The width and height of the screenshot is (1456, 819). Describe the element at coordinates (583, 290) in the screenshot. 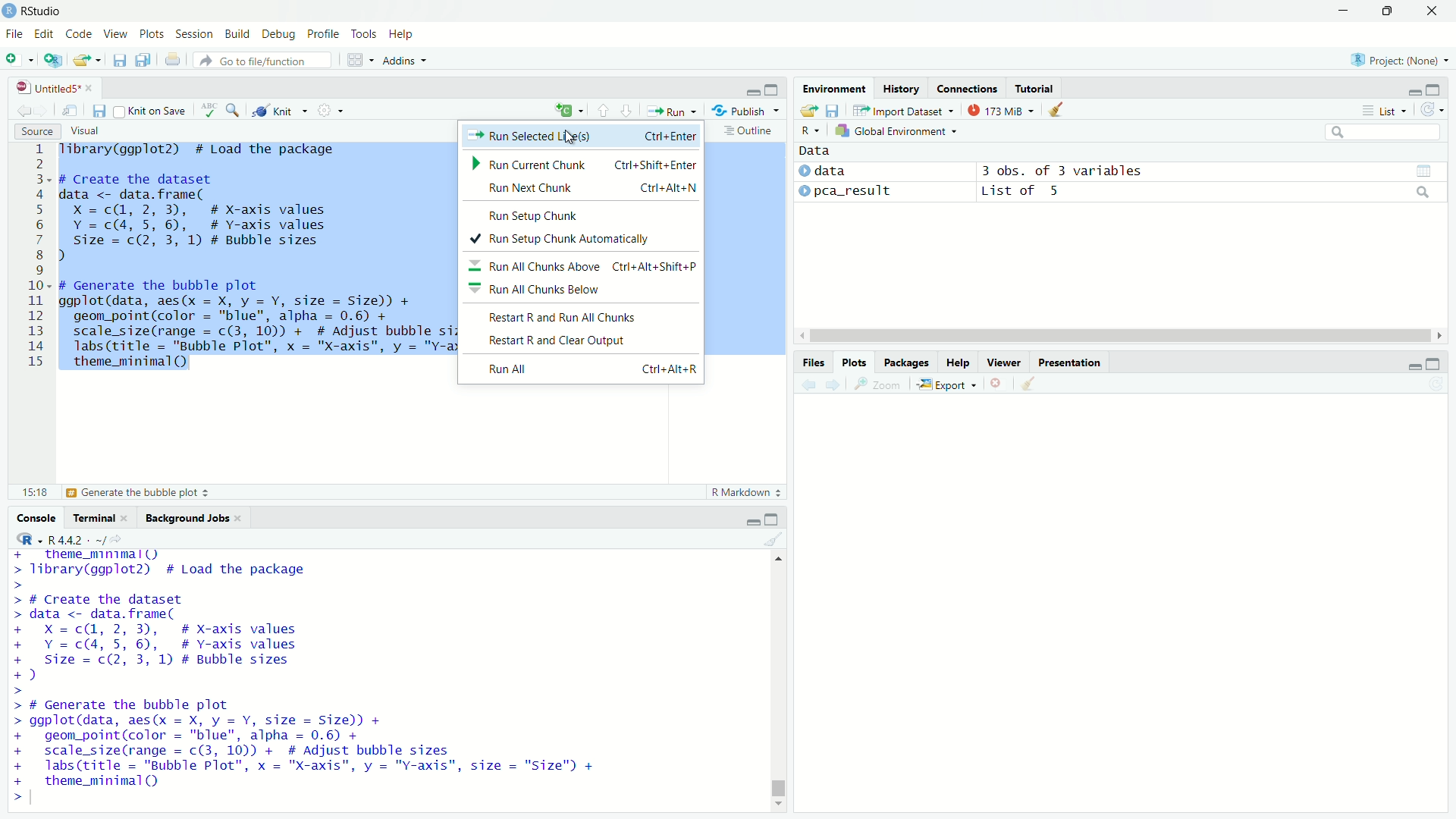

I see `run all chunks below` at that location.